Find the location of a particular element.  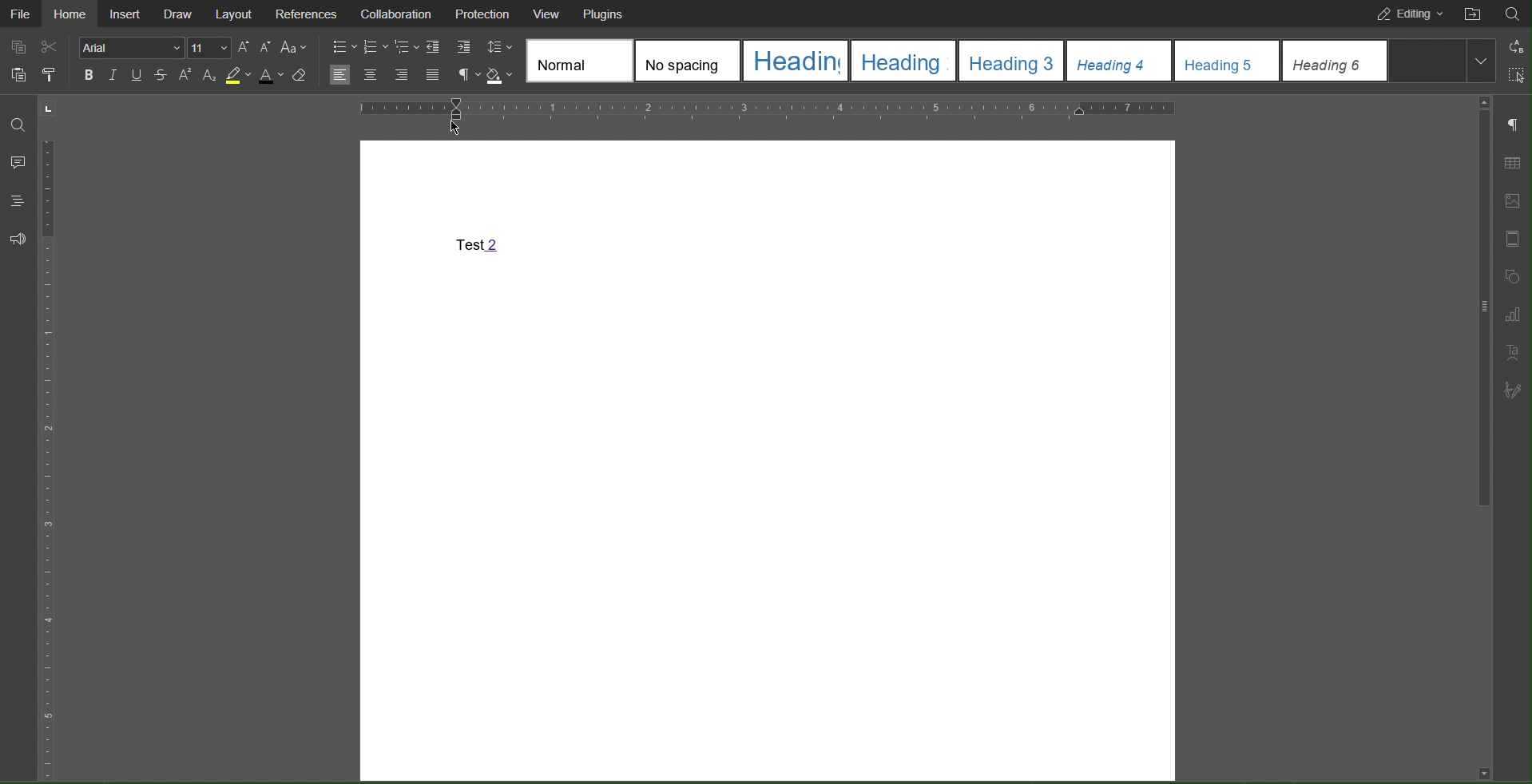

Replace is located at coordinates (1510, 44).